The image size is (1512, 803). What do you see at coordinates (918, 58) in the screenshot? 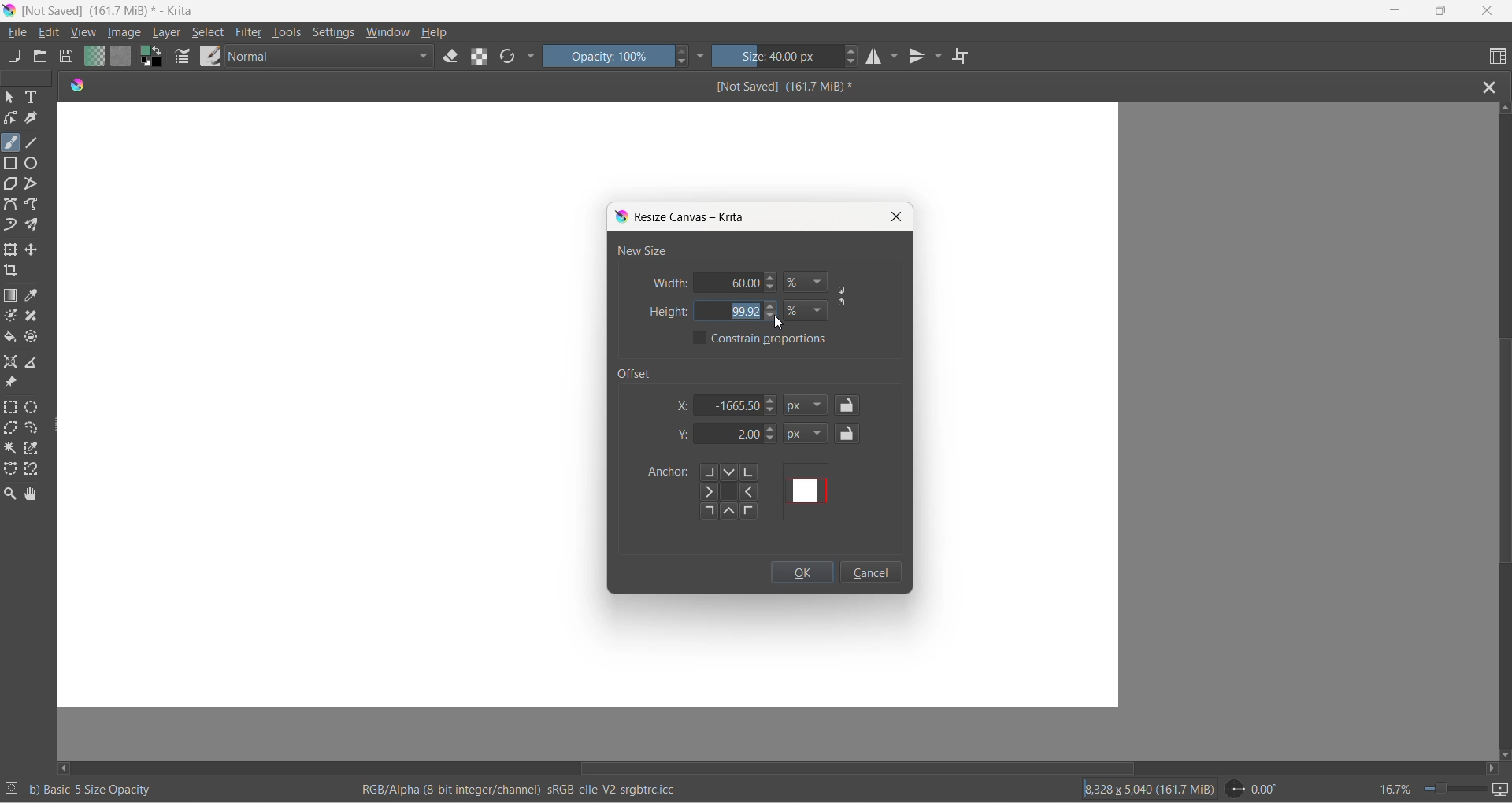
I see `vertical mirror tool` at bounding box center [918, 58].